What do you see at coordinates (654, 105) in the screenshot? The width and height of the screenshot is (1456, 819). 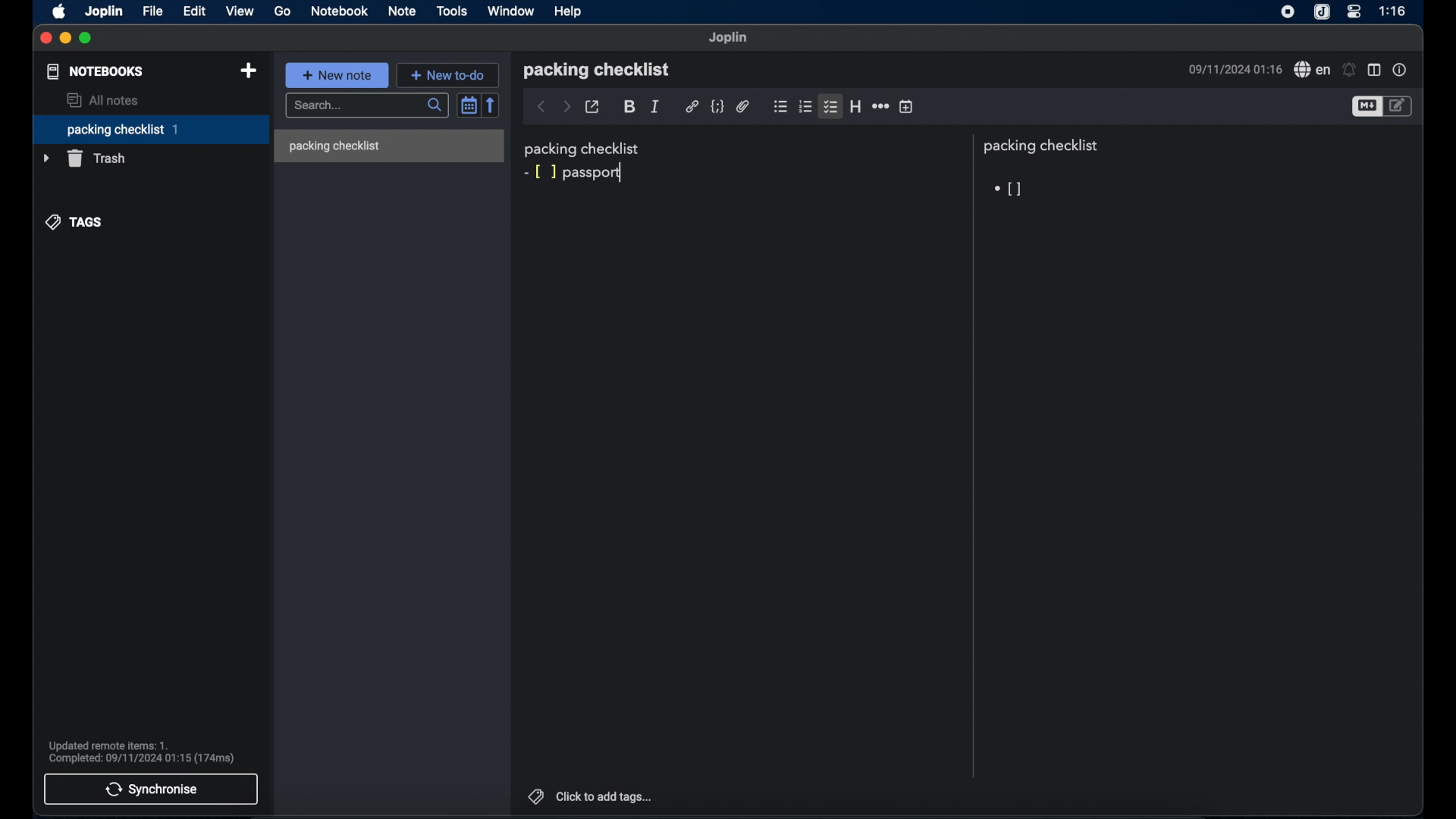 I see `italic` at bounding box center [654, 105].